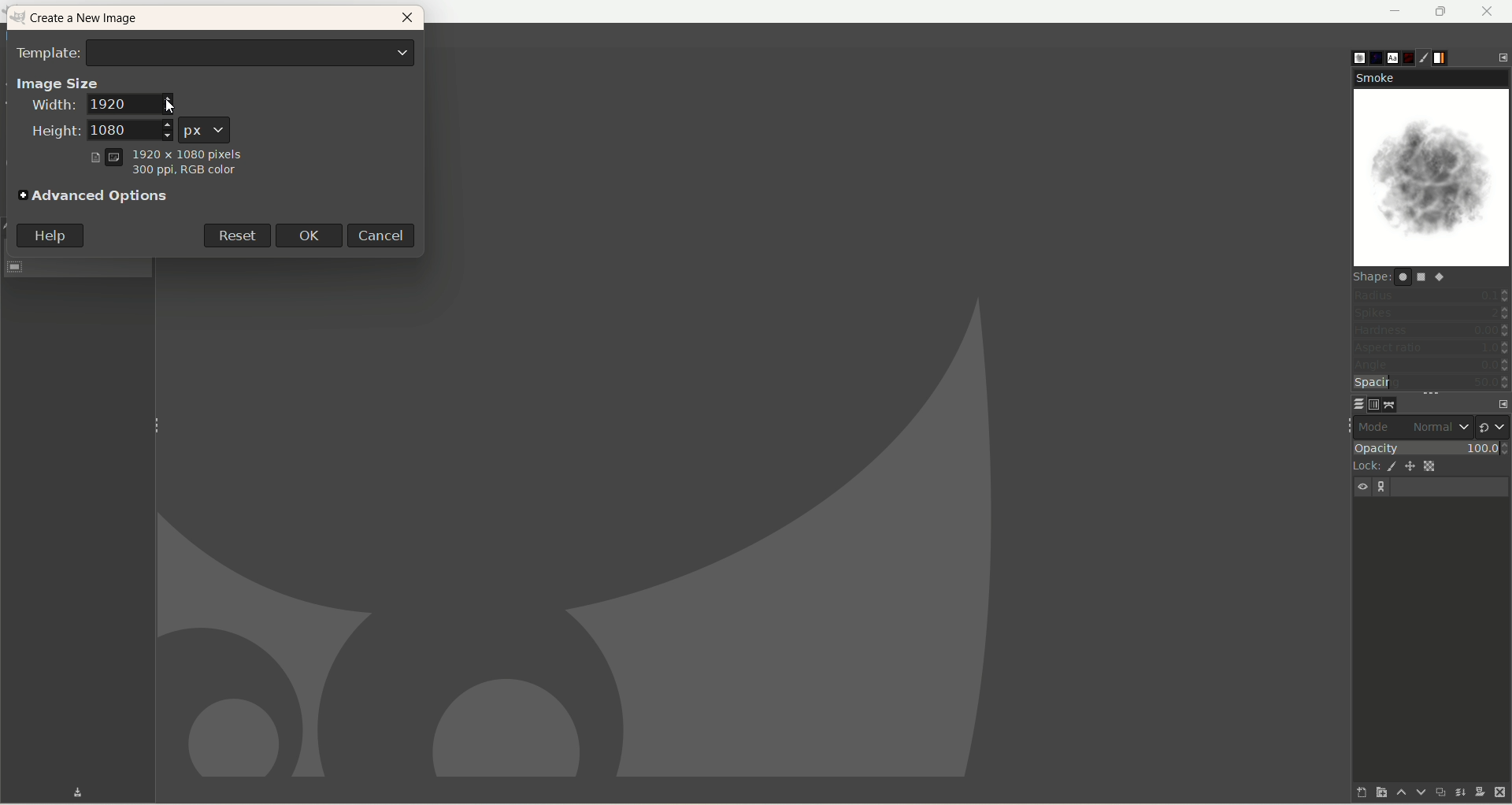 The width and height of the screenshot is (1512, 805). What do you see at coordinates (1430, 366) in the screenshot?
I see `angle` at bounding box center [1430, 366].